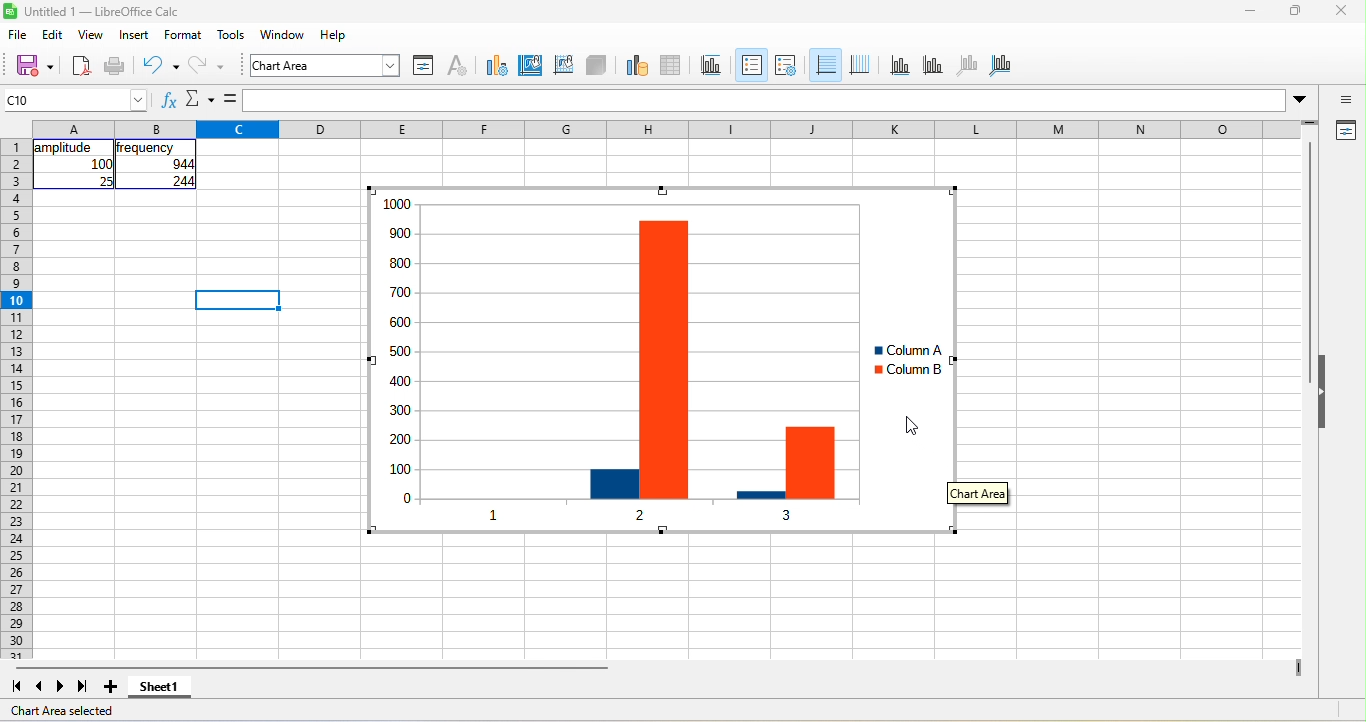 Image resolution: width=1366 pixels, height=722 pixels. What do you see at coordinates (160, 687) in the screenshot?
I see `sheet 1` at bounding box center [160, 687].